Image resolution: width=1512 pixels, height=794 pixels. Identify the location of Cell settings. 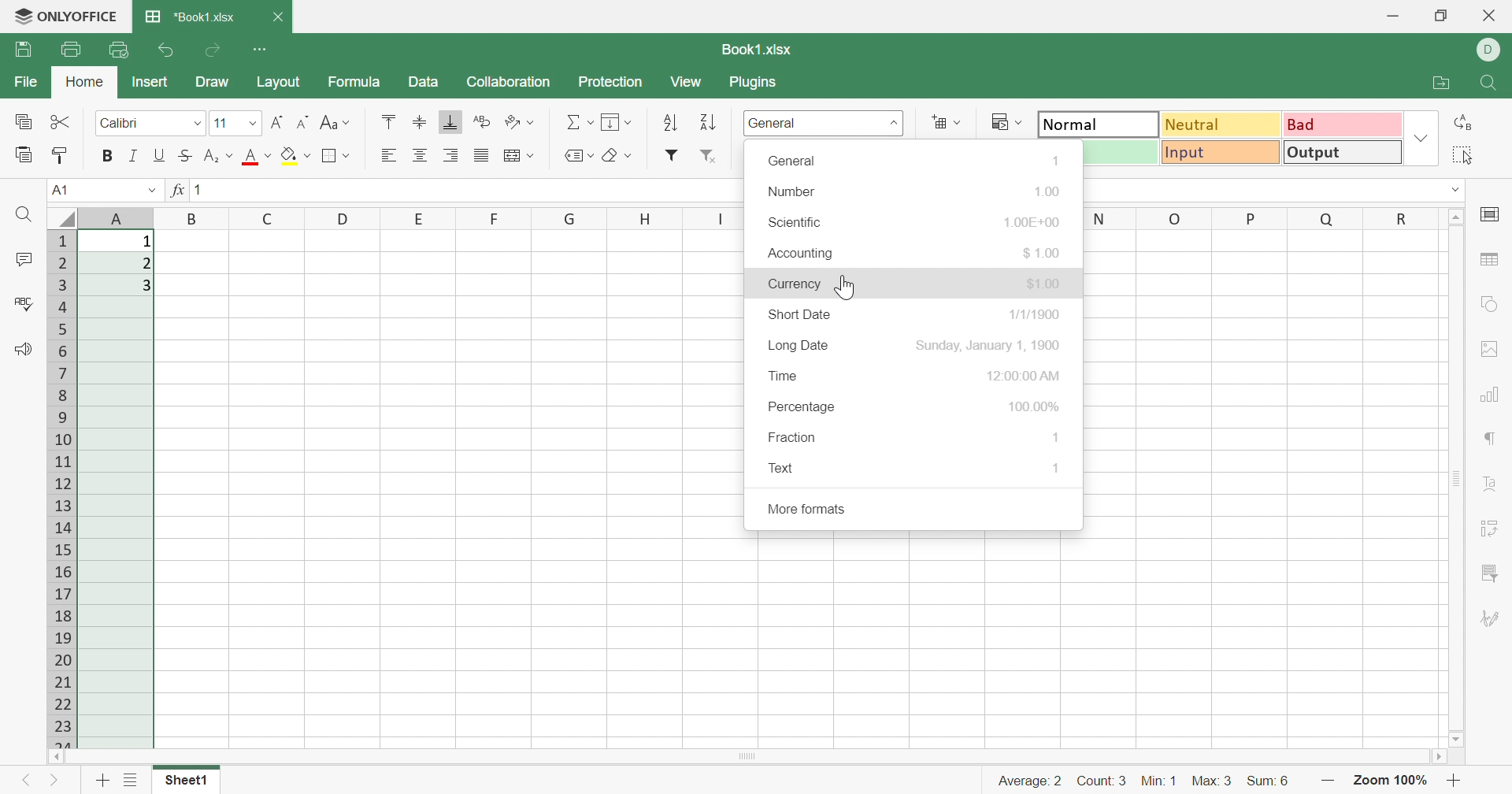
(1495, 213).